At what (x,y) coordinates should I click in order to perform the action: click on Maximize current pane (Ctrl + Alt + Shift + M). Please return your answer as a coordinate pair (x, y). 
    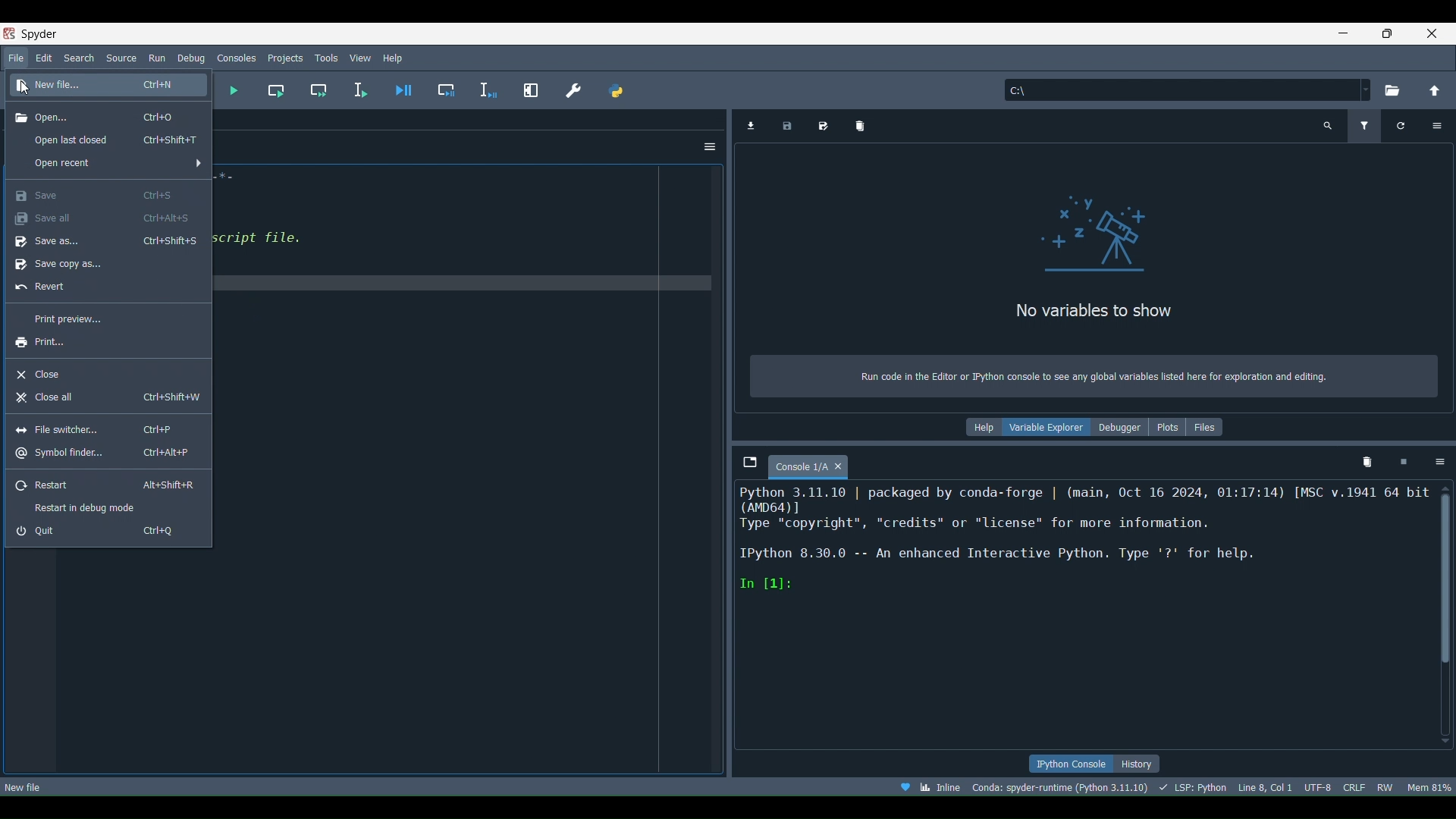
    Looking at the image, I should click on (529, 90).